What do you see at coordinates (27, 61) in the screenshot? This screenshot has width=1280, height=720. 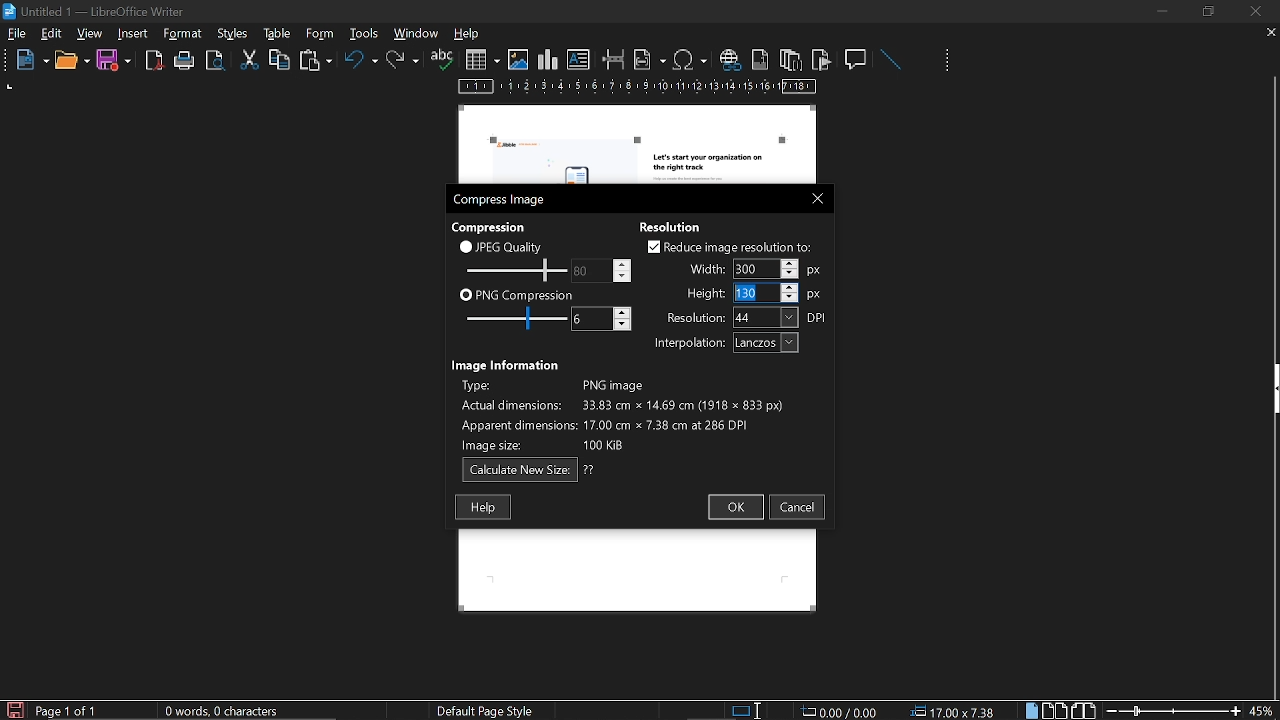 I see `new` at bounding box center [27, 61].